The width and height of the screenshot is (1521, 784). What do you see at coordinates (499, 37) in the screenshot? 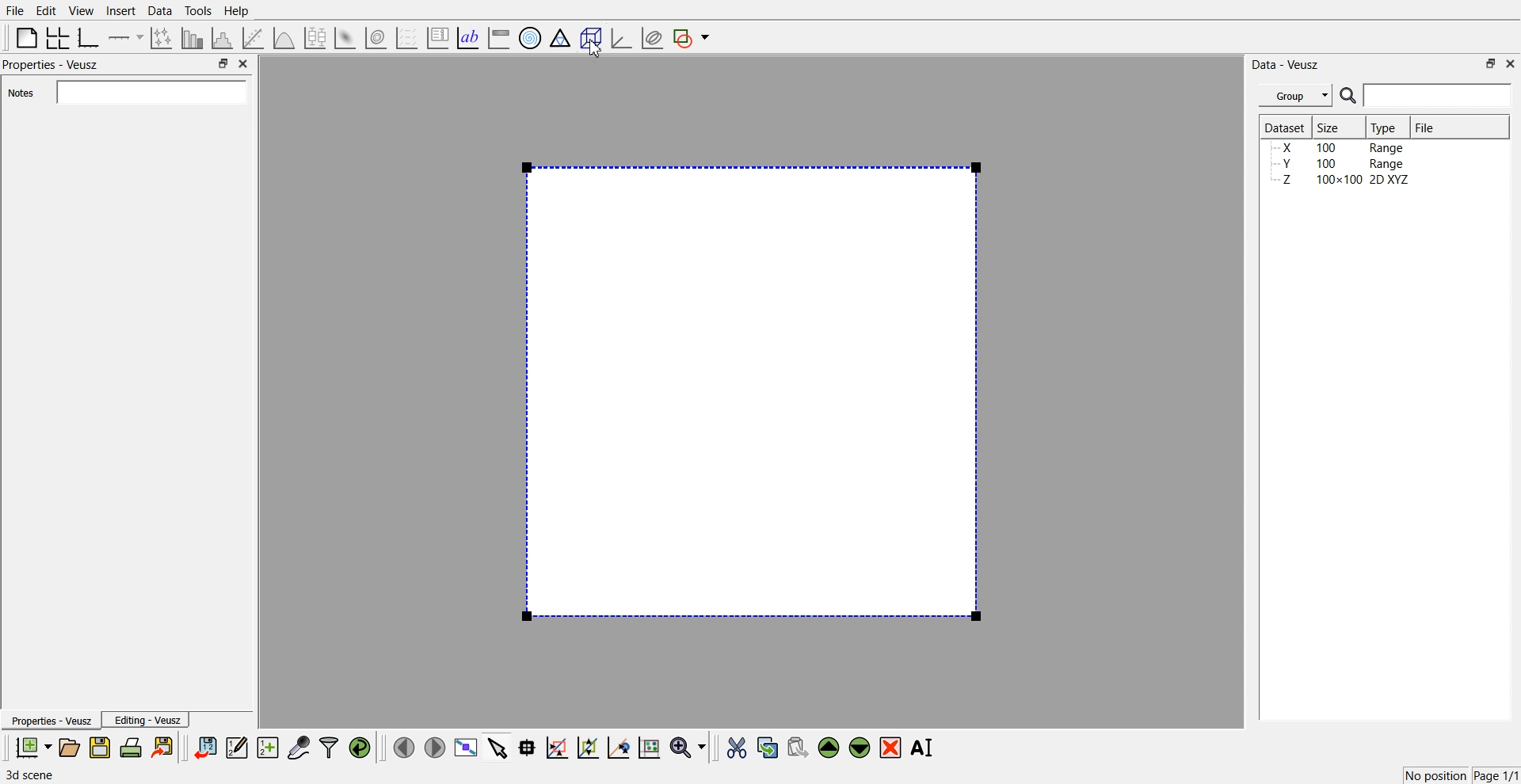
I see `Image color bar` at bounding box center [499, 37].